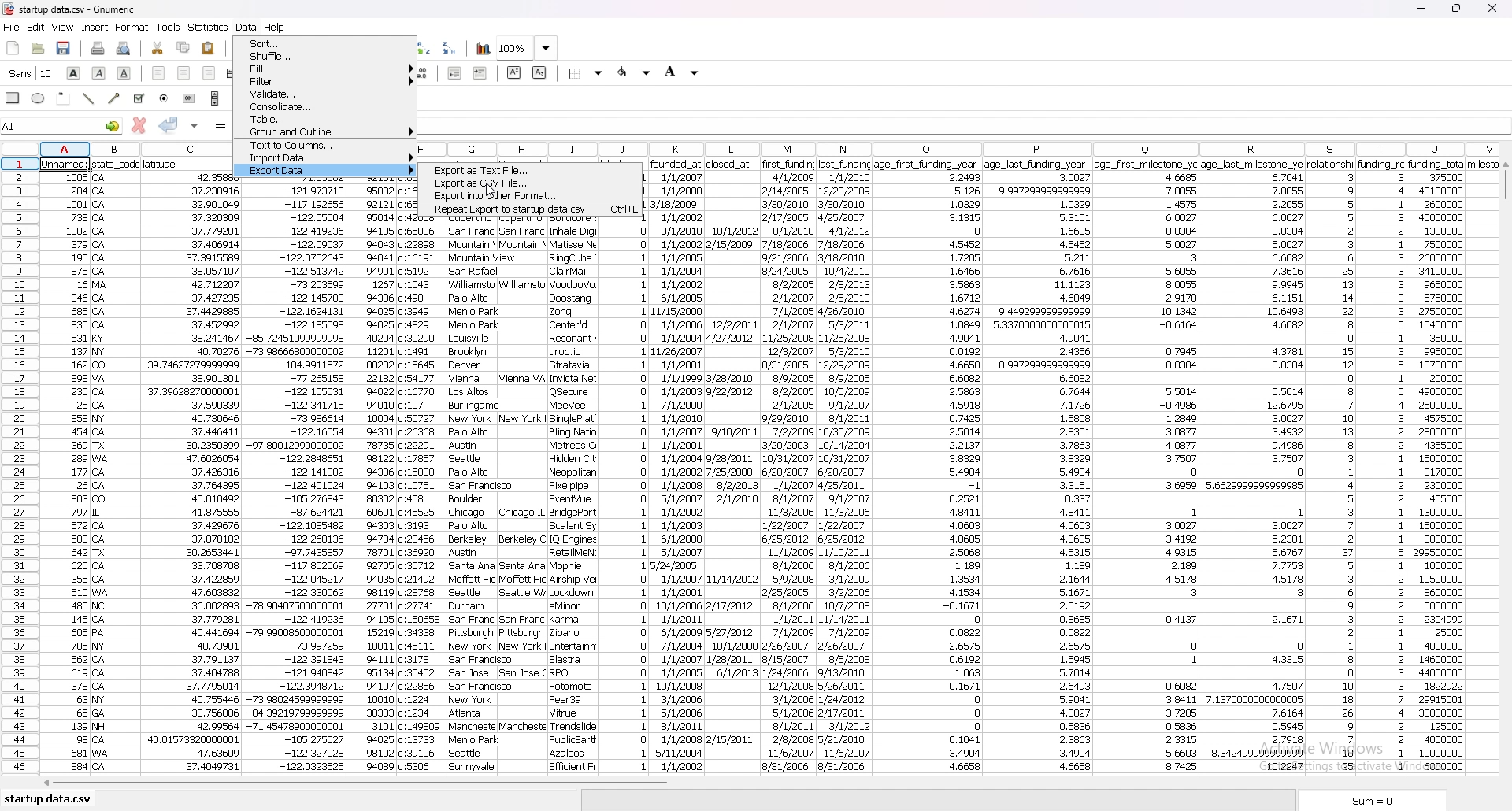 This screenshot has width=1512, height=811. Describe the element at coordinates (183, 72) in the screenshot. I see `centre` at that location.